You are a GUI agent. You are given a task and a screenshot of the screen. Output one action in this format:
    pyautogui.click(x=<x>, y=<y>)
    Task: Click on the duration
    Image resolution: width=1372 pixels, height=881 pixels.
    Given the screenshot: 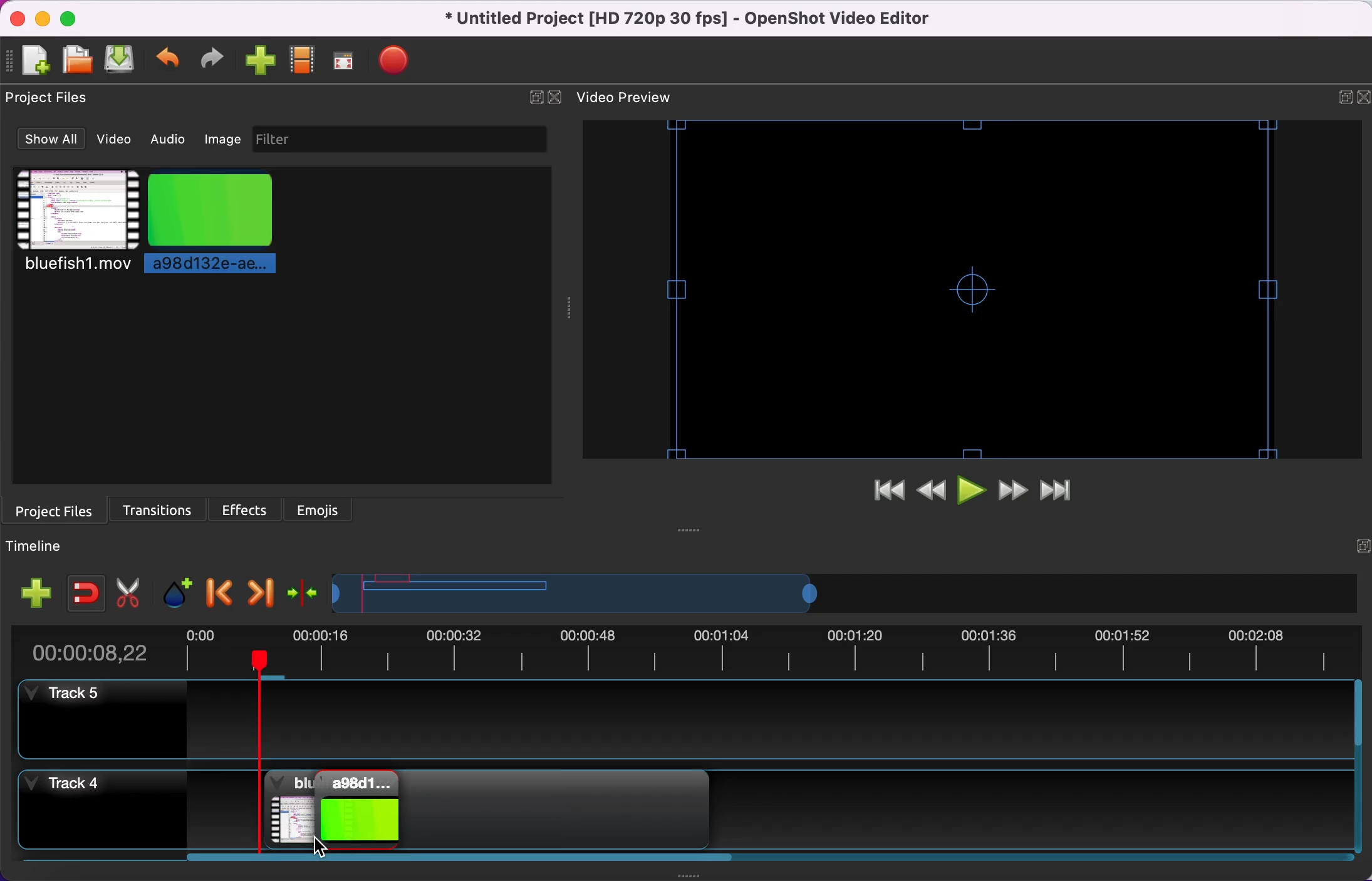 What is the action you would take?
    pyautogui.click(x=695, y=649)
    